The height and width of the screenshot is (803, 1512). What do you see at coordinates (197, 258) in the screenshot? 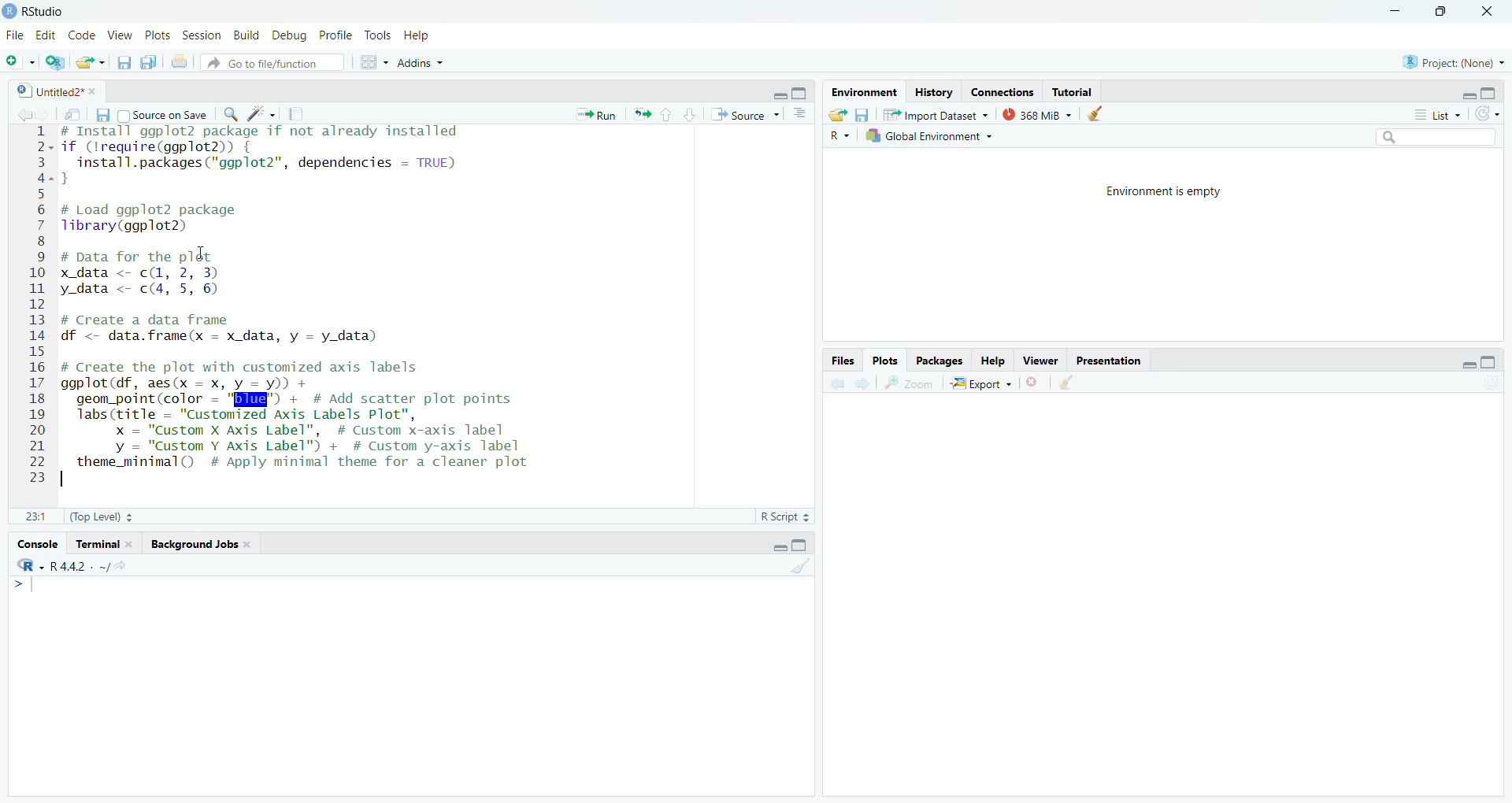
I see `cursor` at bounding box center [197, 258].